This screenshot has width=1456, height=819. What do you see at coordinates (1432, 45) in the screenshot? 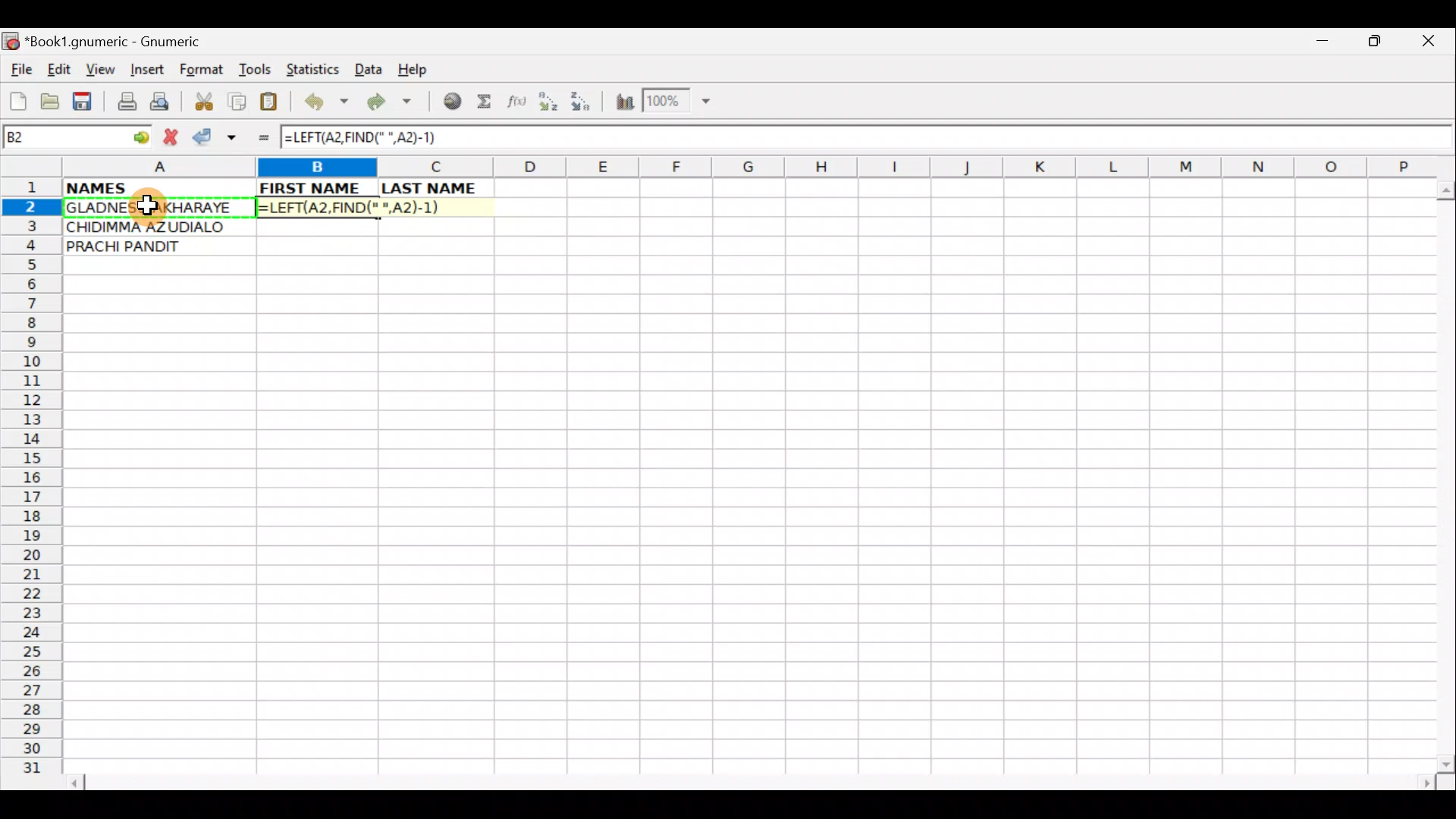
I see `Close` at bounding box center [1432, 45].